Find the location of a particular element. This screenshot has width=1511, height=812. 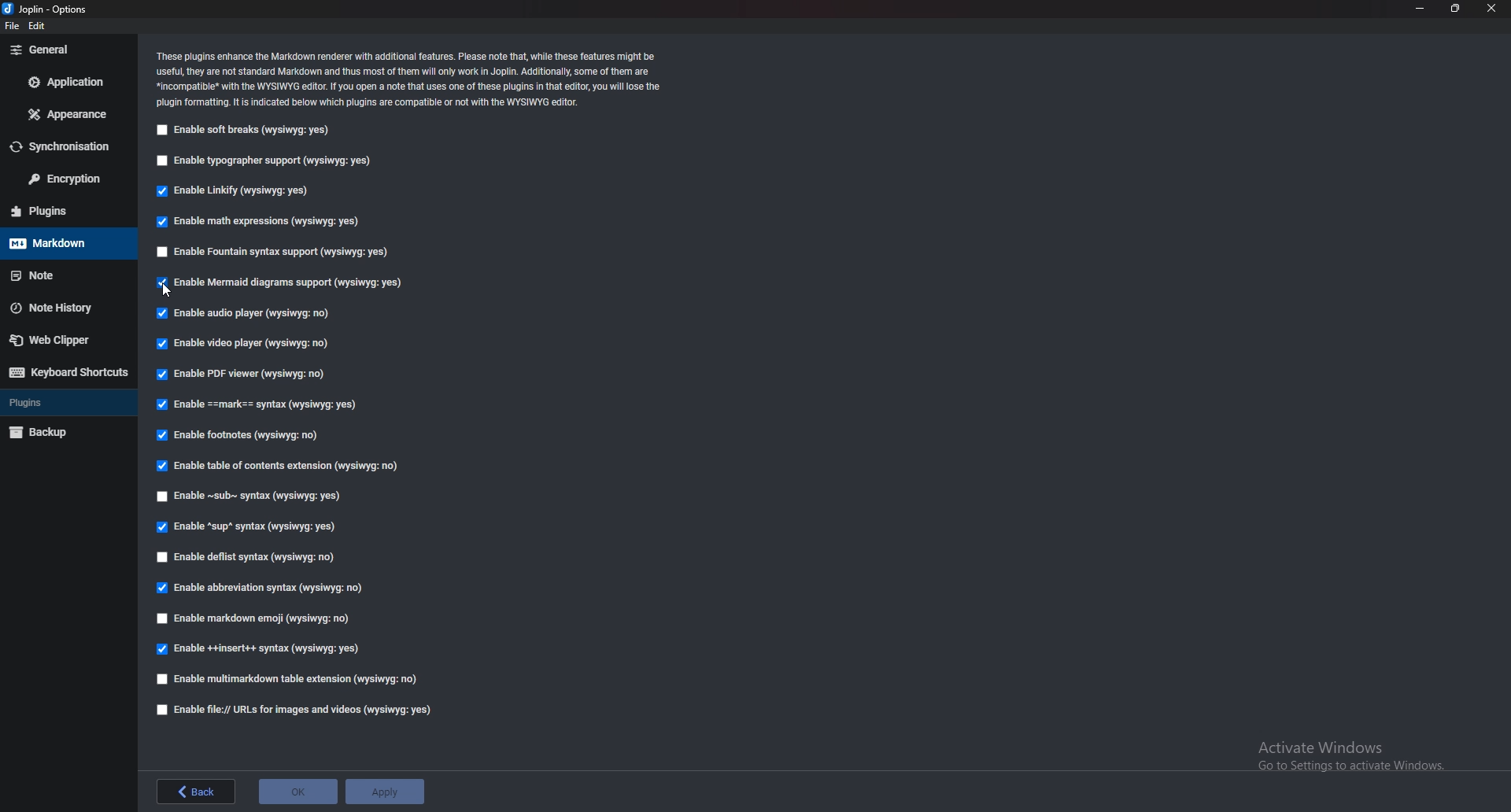

Enable math expressions is located at coordinates (261, 222).